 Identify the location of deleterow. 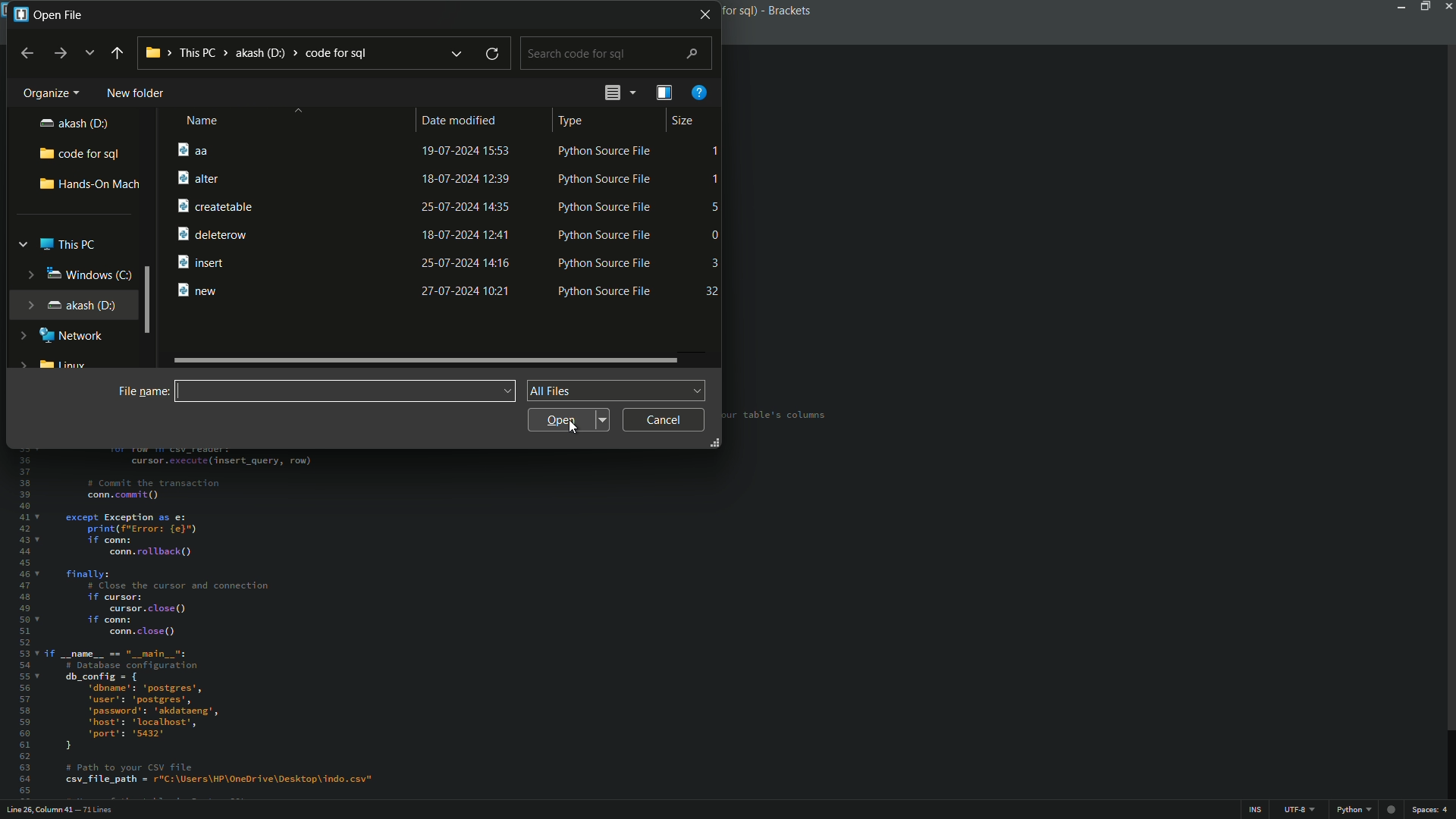
(217, 234).